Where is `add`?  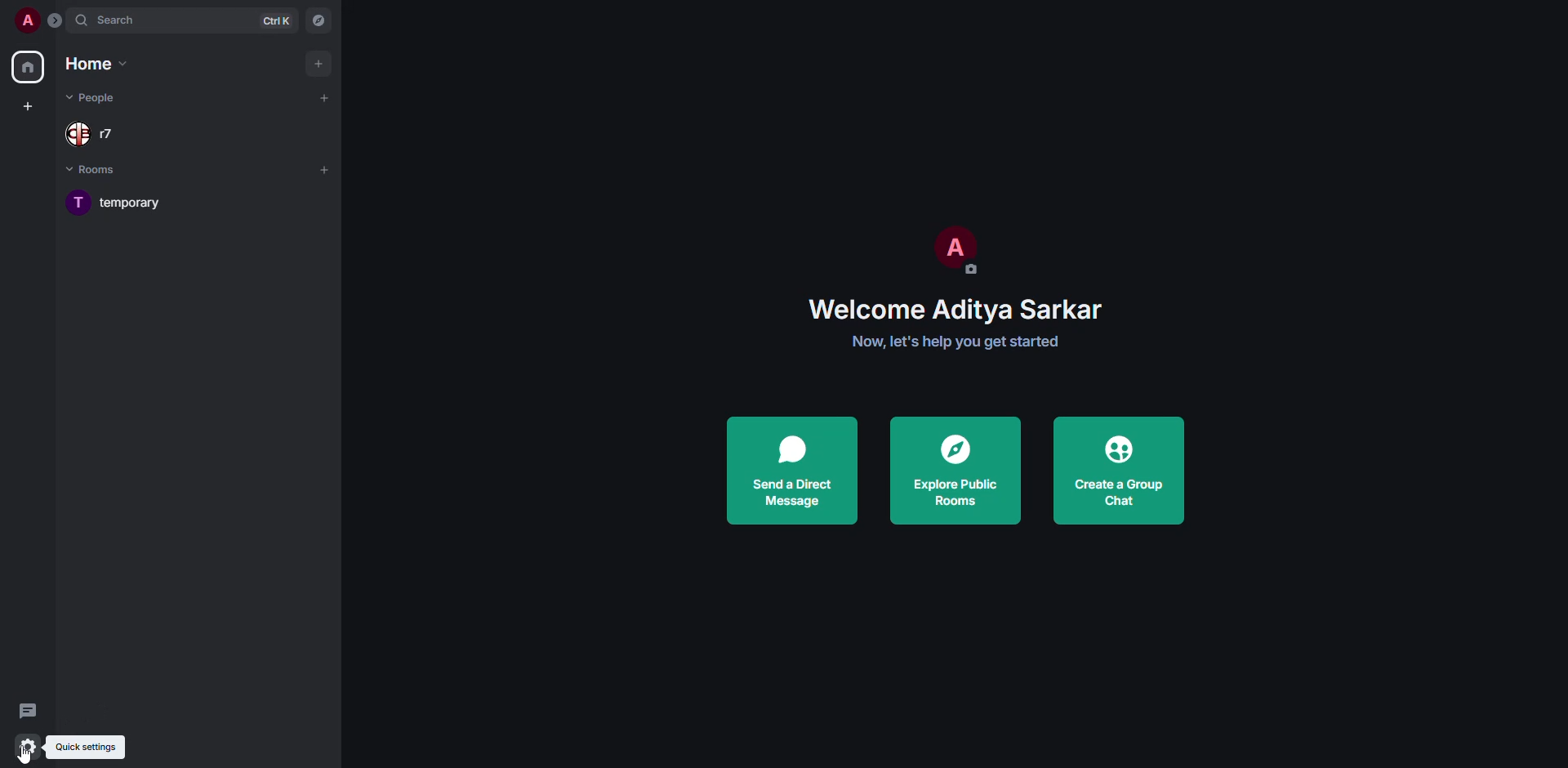
add is located at coordinates (321, 63).